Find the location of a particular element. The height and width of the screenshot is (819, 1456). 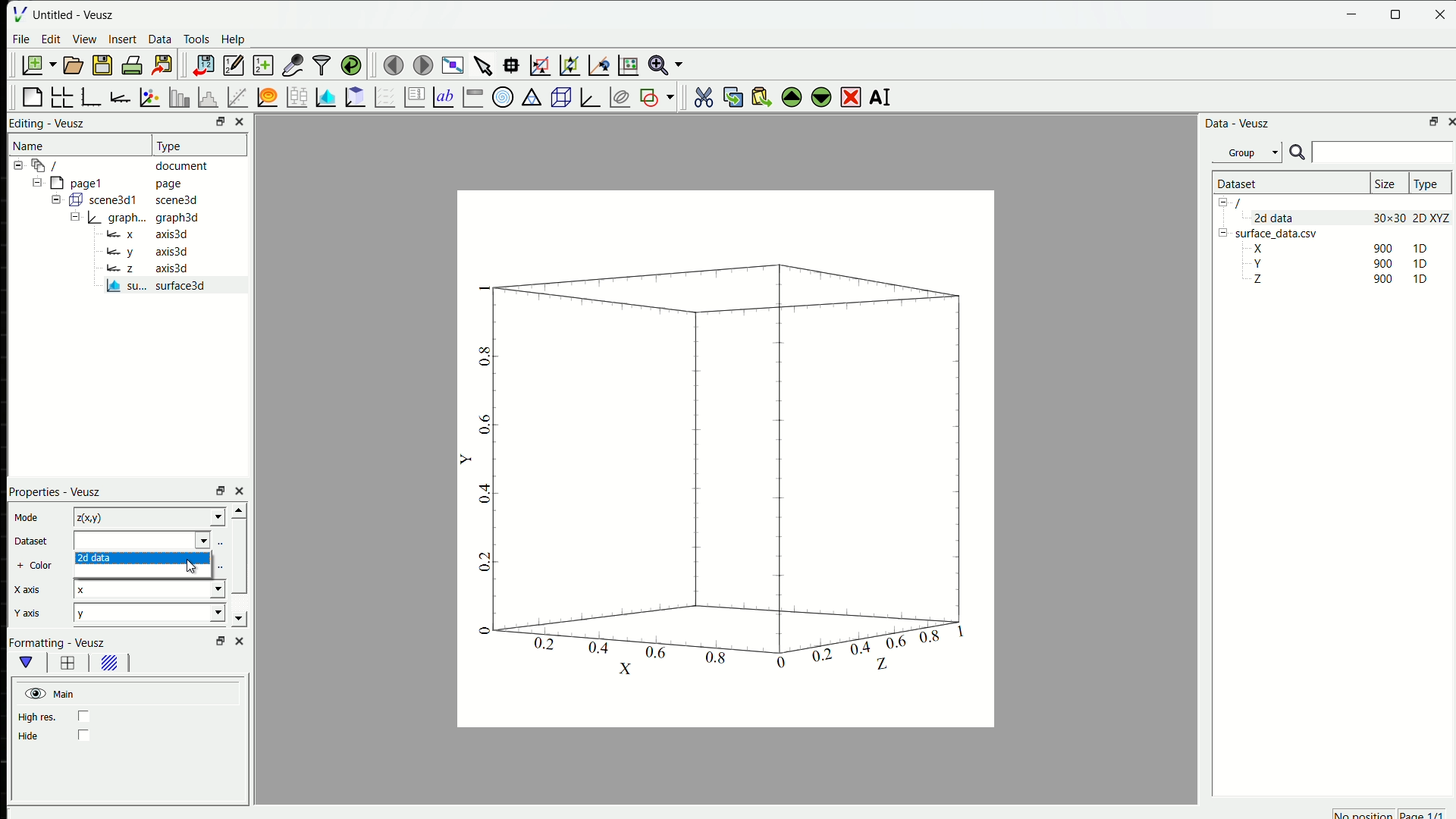

View is located at coordinates (86, 39).